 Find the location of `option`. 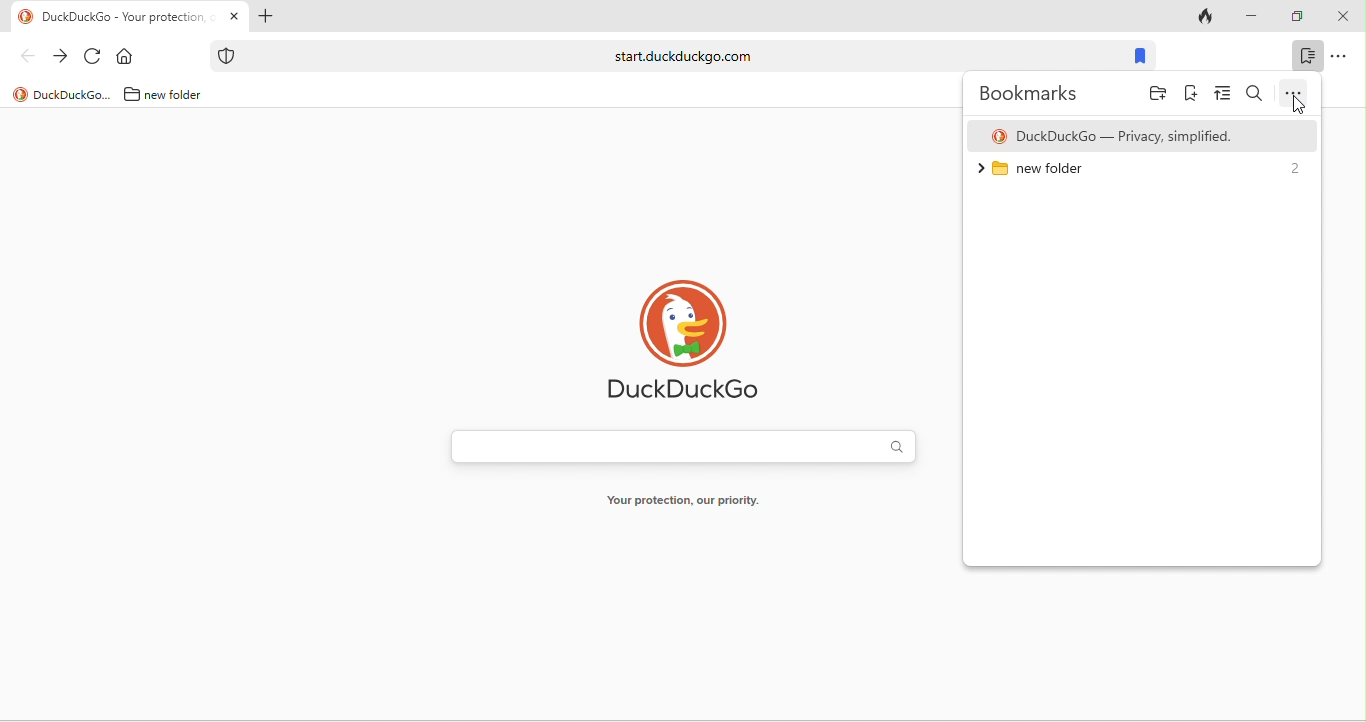

option is located at coordinates (1294, 94).